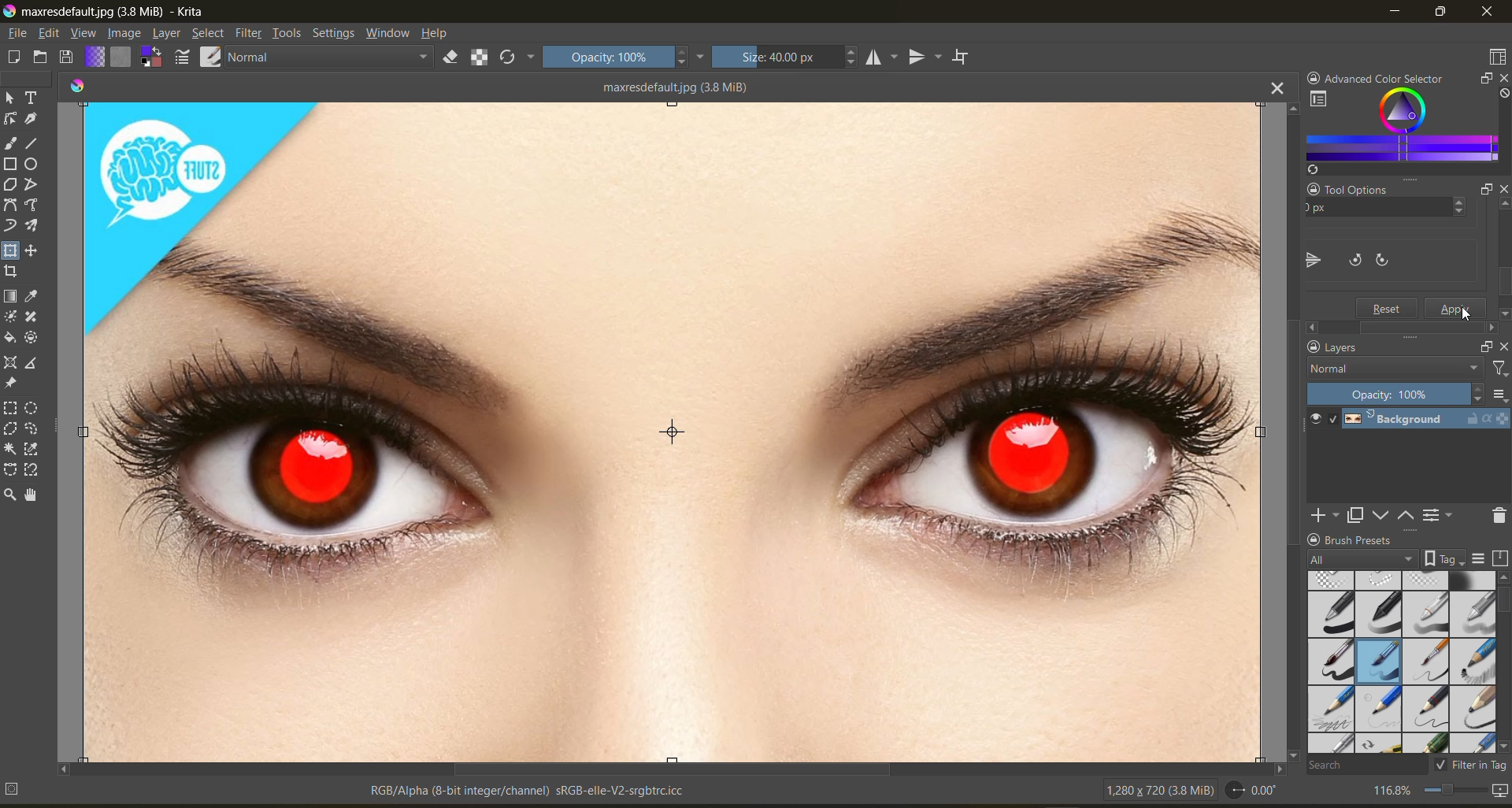  What do you see at coordinates (9, 384) in the screenshot?
I see `tool` at bounding box center [9, 384].